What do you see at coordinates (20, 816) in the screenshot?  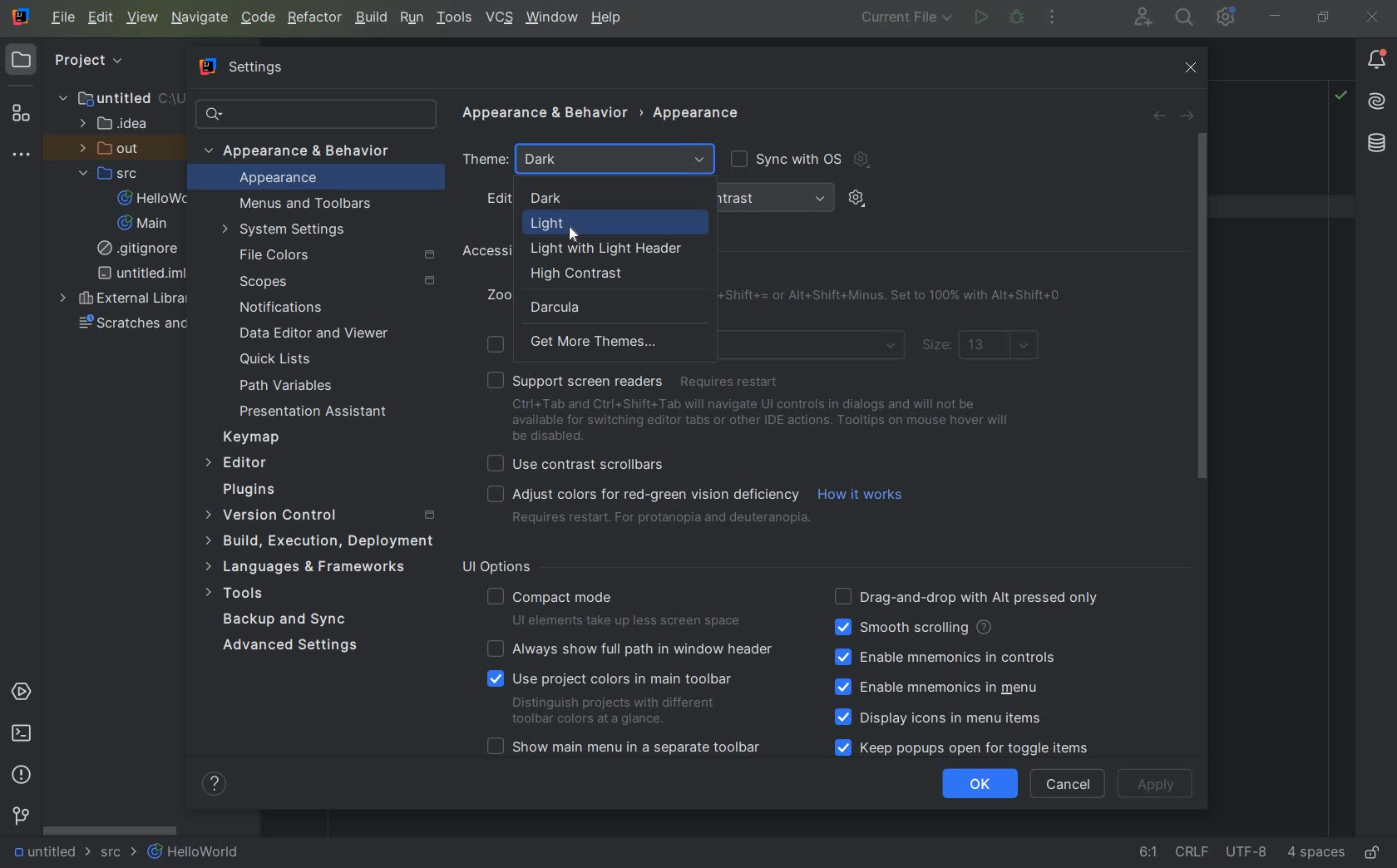 I see `VERSION CONTROL` at bounding box center [20, 816].